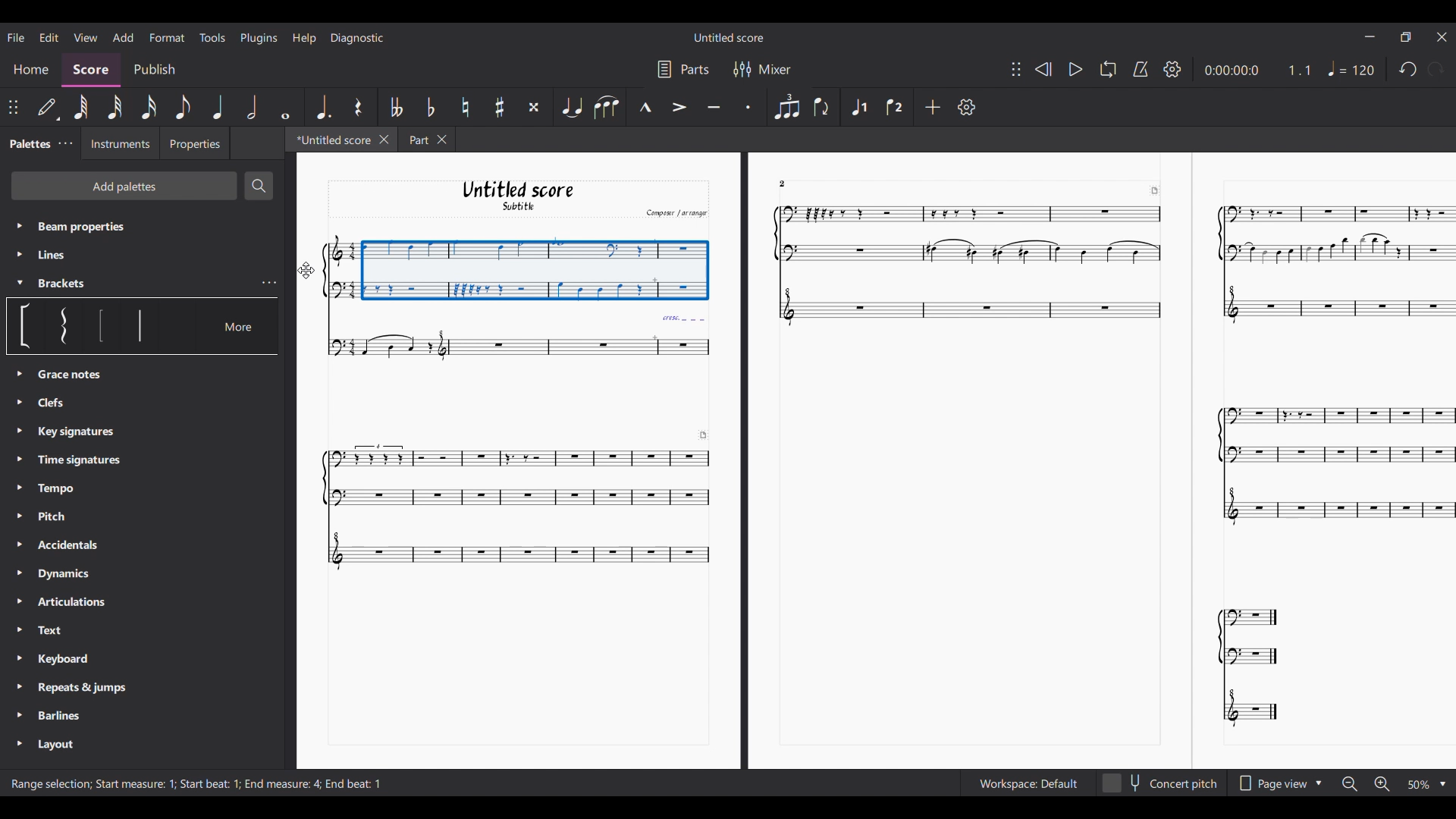  I want to click on , so click(1250, 656).